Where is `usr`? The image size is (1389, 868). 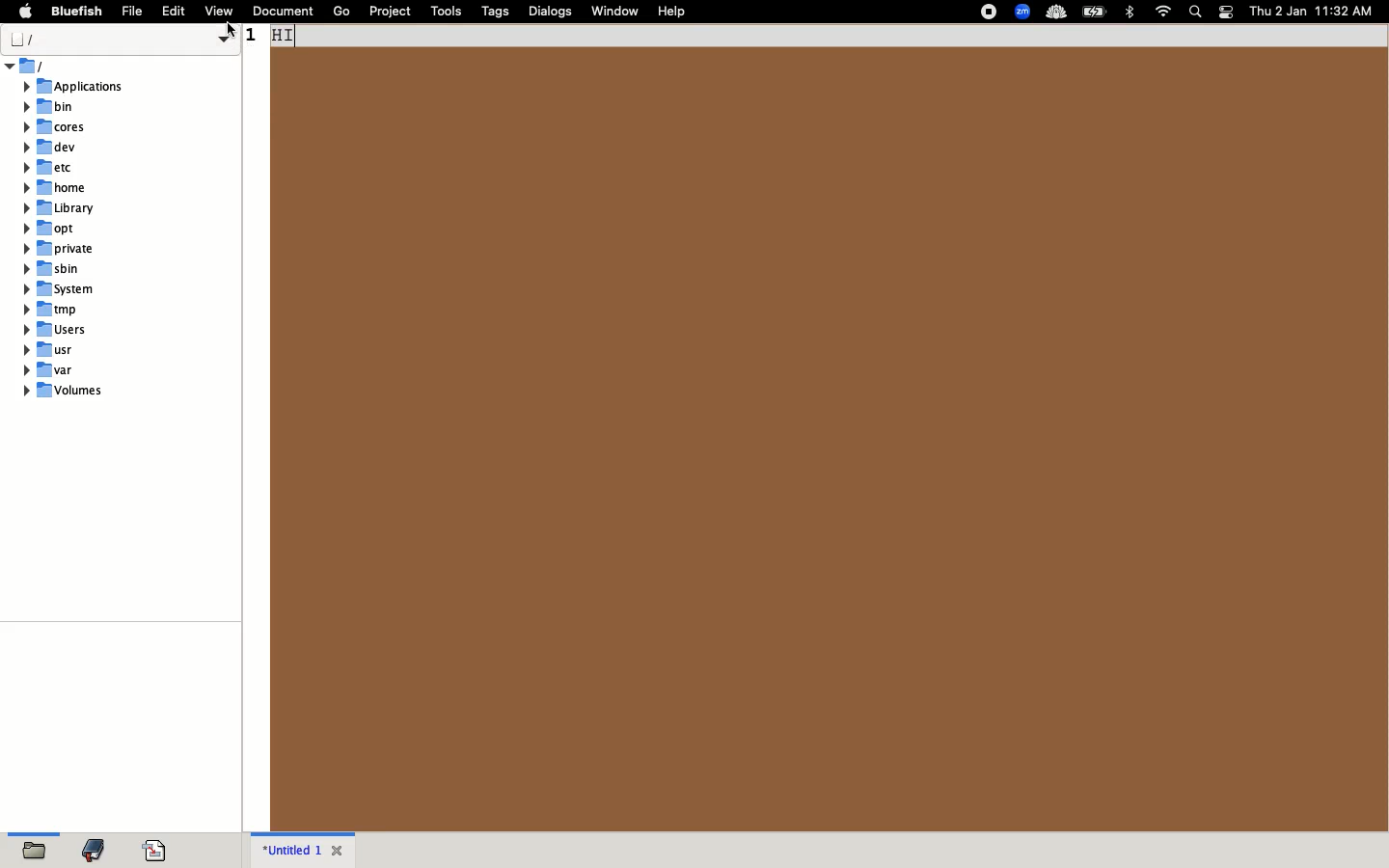
usr is located at coordinates (54, 348).